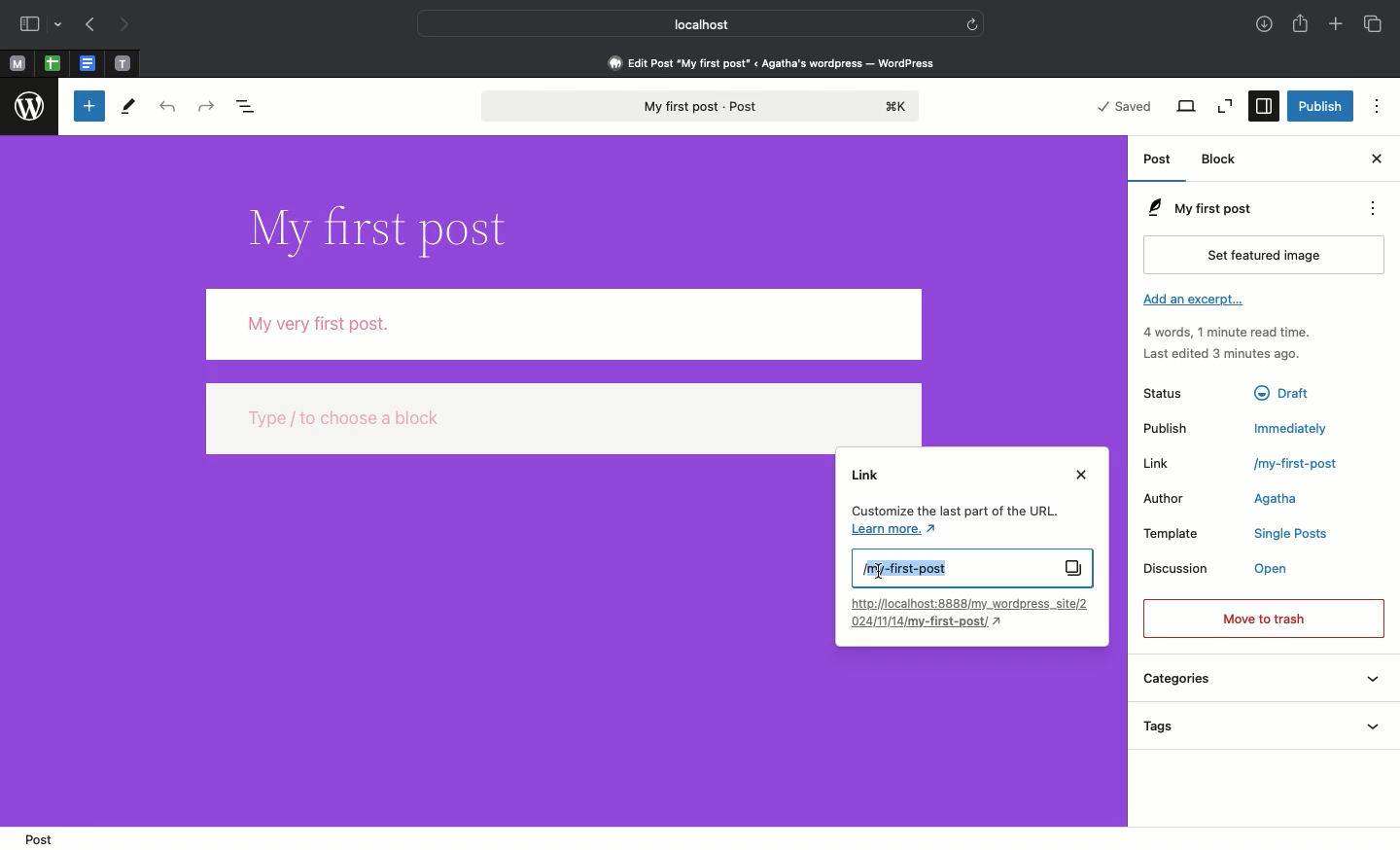  Describe the element at coordinates (1227, 206) in the screenshot. I see `My first post` at that location.